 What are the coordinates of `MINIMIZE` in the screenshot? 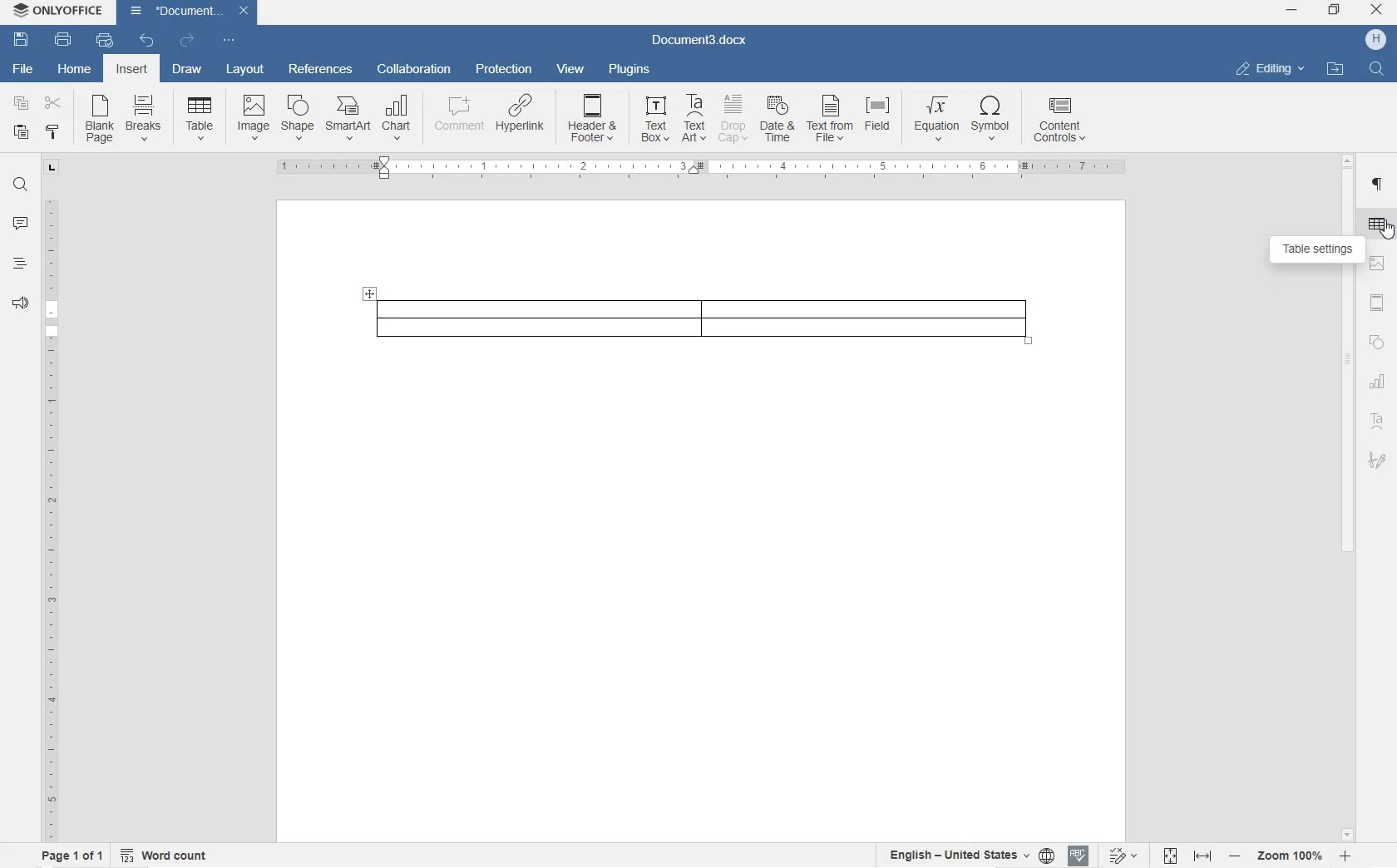 It's located at (1293, 11).